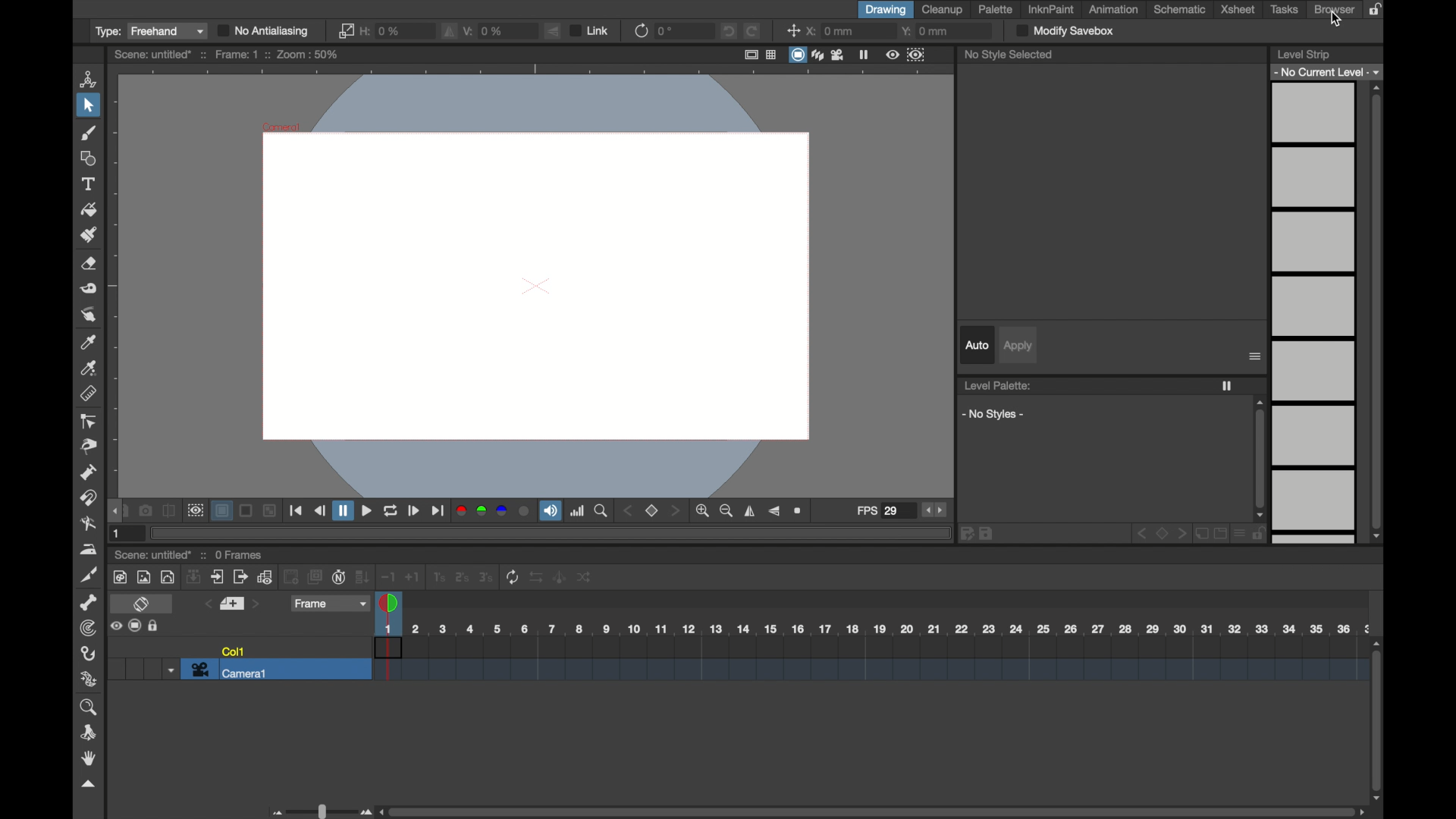 This screenshot has width=1456, height=819. I want to click on tasks, so click(1285, 10).